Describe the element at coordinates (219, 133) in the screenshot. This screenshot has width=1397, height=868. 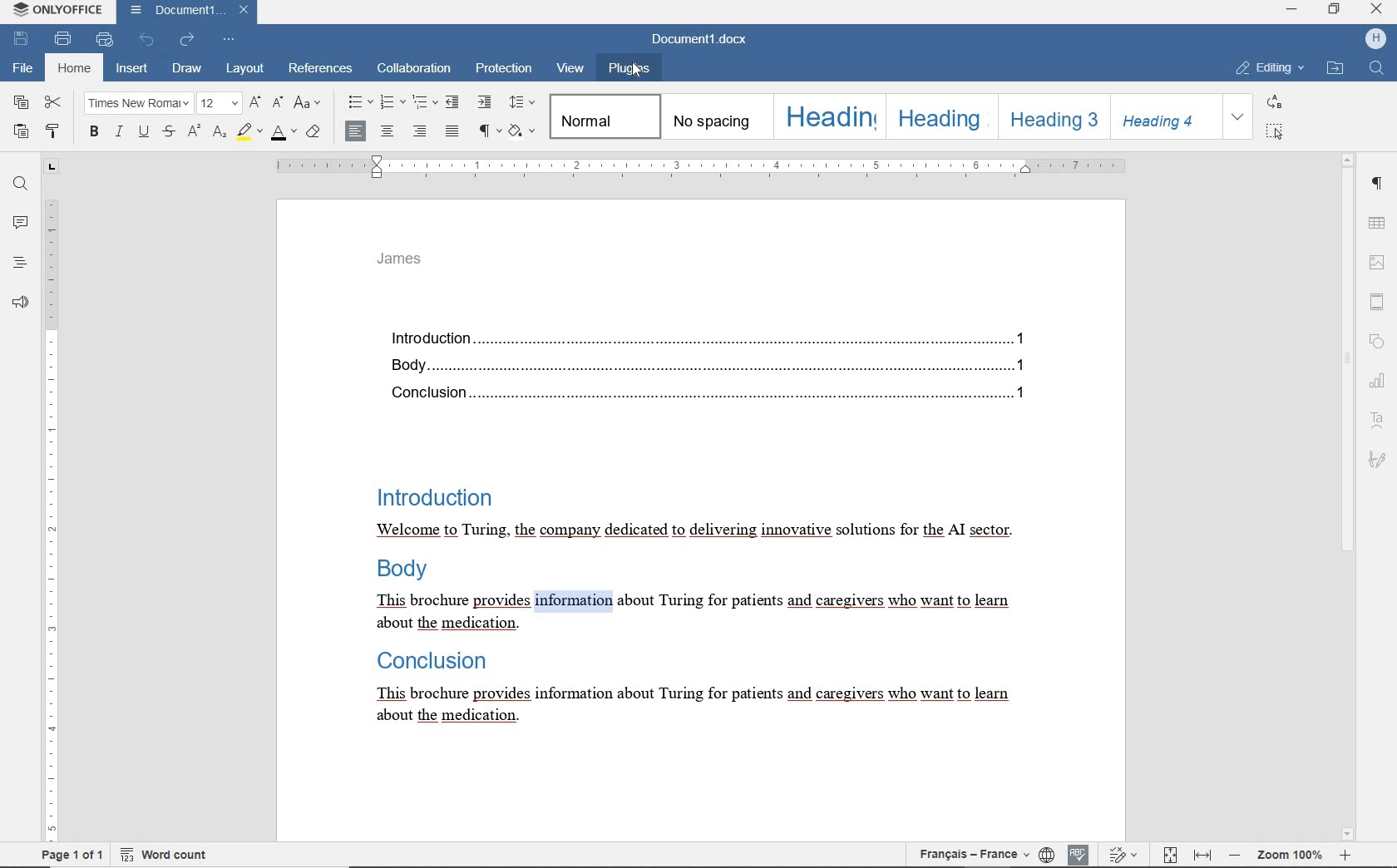
I see `SUBSCRIPT` at that location.